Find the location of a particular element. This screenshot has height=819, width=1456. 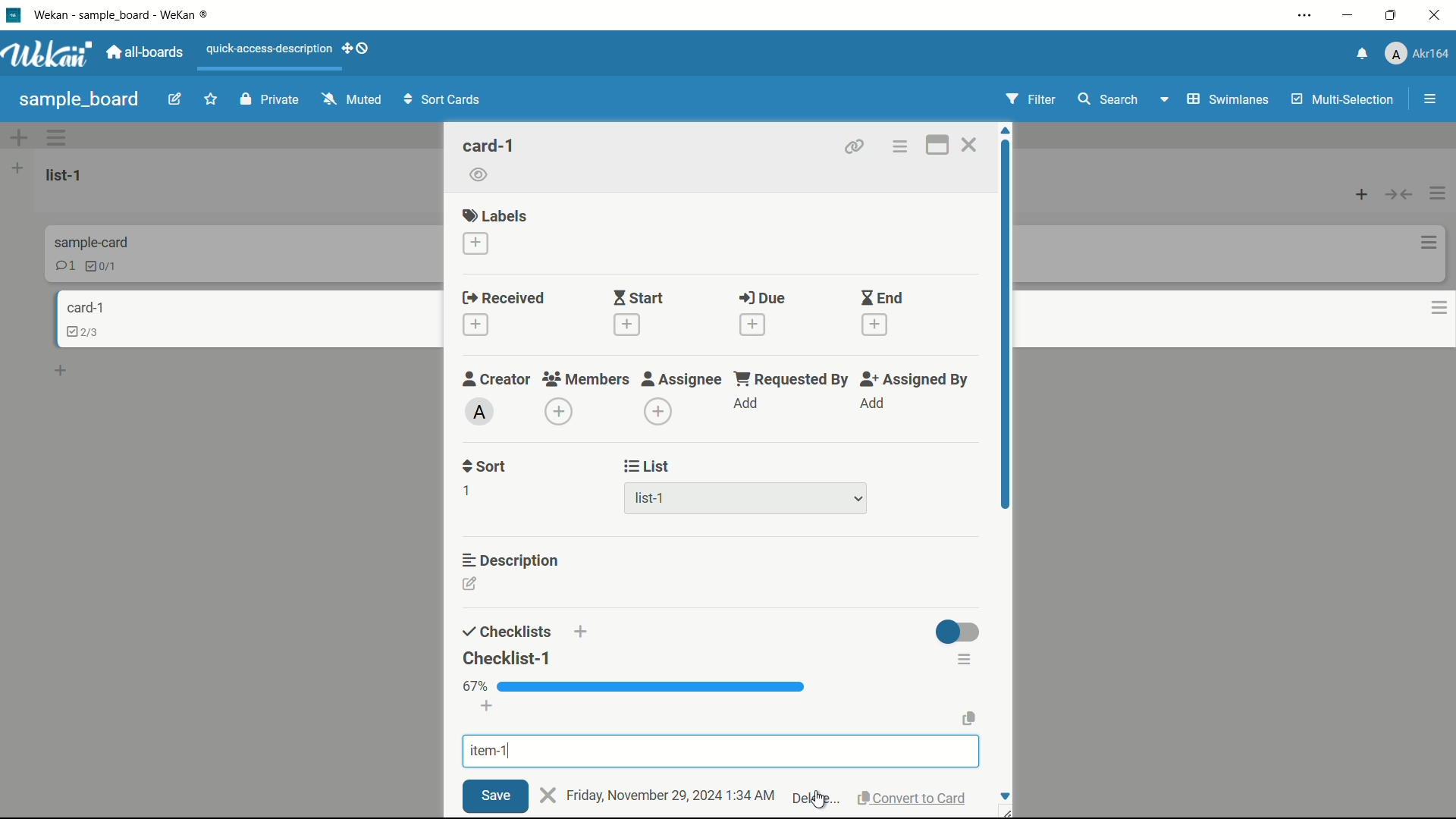

scroll bar is located at coordinates (1003, 337).